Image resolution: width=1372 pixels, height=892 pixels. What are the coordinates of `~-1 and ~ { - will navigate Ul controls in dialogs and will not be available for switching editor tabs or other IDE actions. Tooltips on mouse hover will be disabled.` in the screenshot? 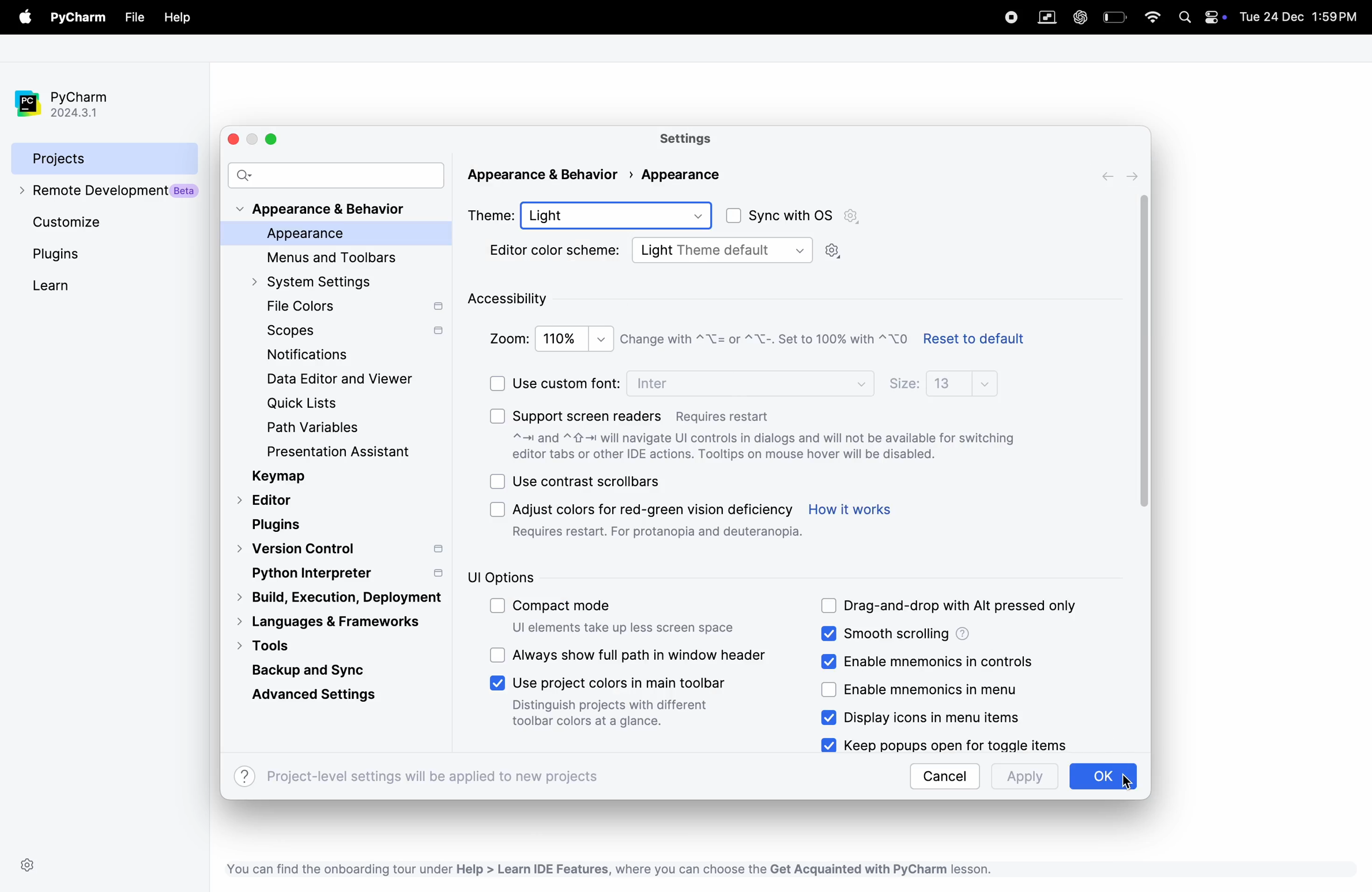 It's located at (775, 445).